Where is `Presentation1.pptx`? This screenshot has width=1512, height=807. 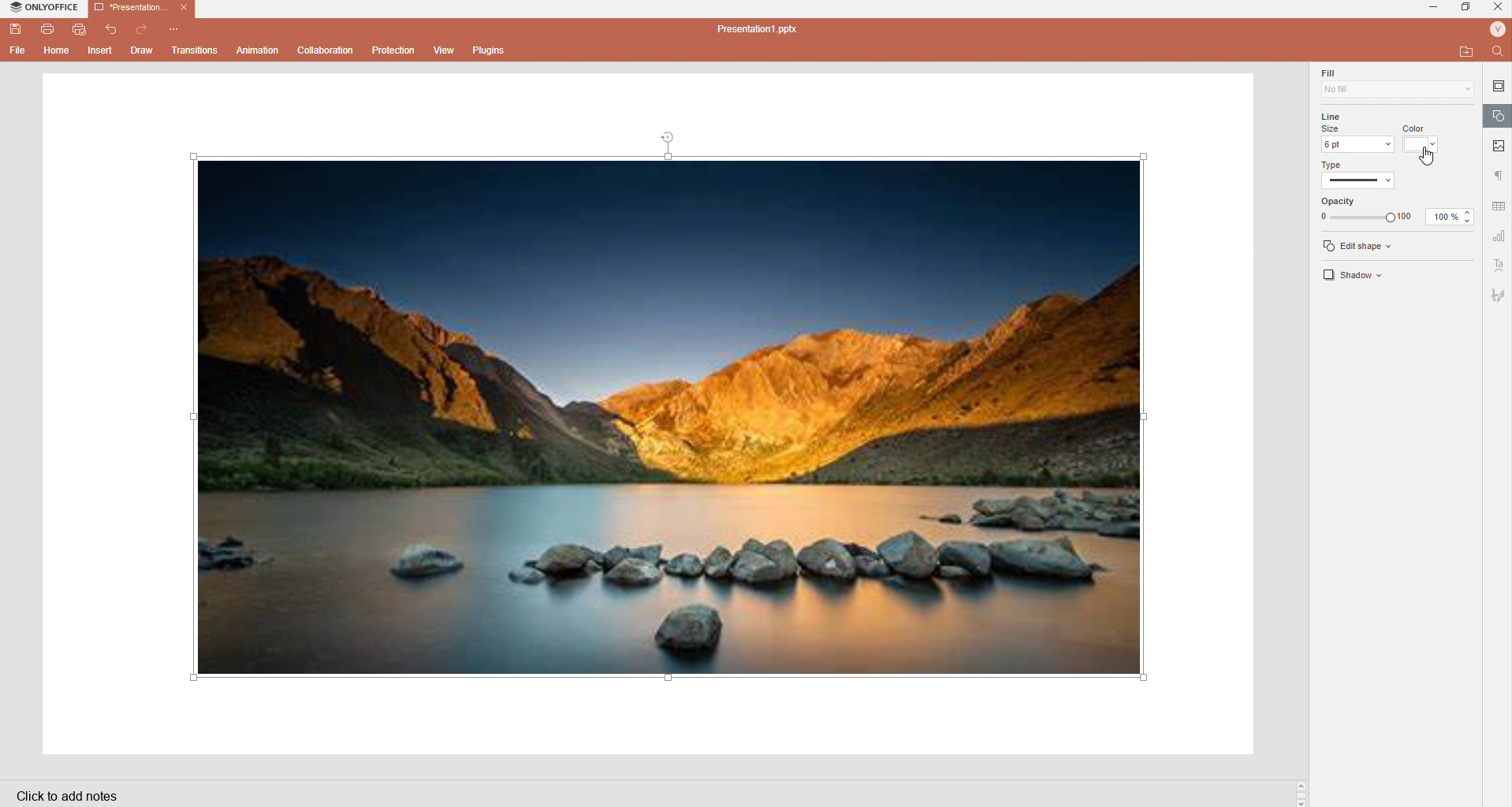
Presentation1.pptx is located at coordinates (760, 29).